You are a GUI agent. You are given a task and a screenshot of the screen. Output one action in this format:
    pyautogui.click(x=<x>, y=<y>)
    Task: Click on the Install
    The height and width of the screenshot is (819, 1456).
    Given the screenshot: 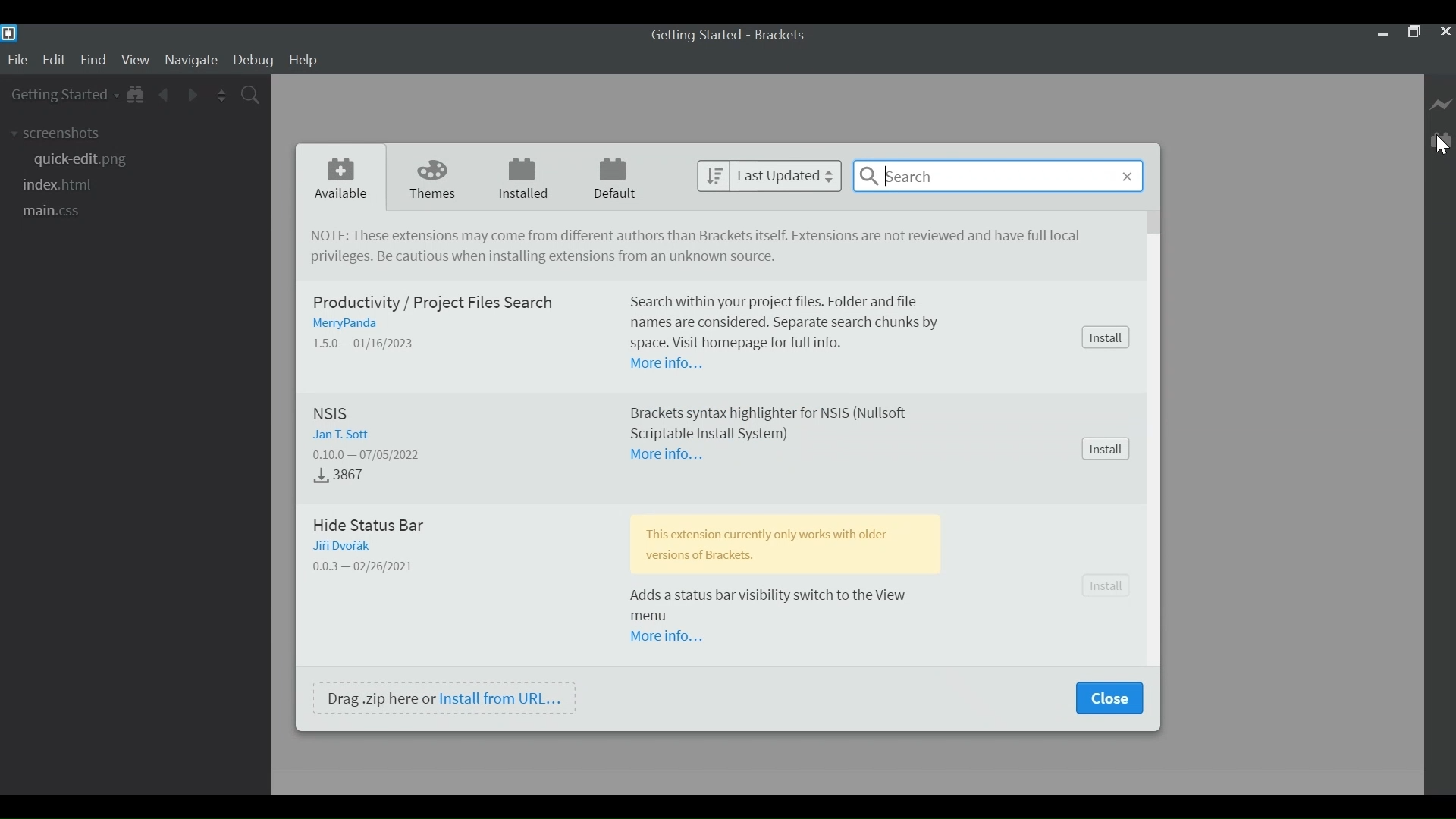 What is the action you would take?
    pyautogui.click(x=1108, y=337)
    